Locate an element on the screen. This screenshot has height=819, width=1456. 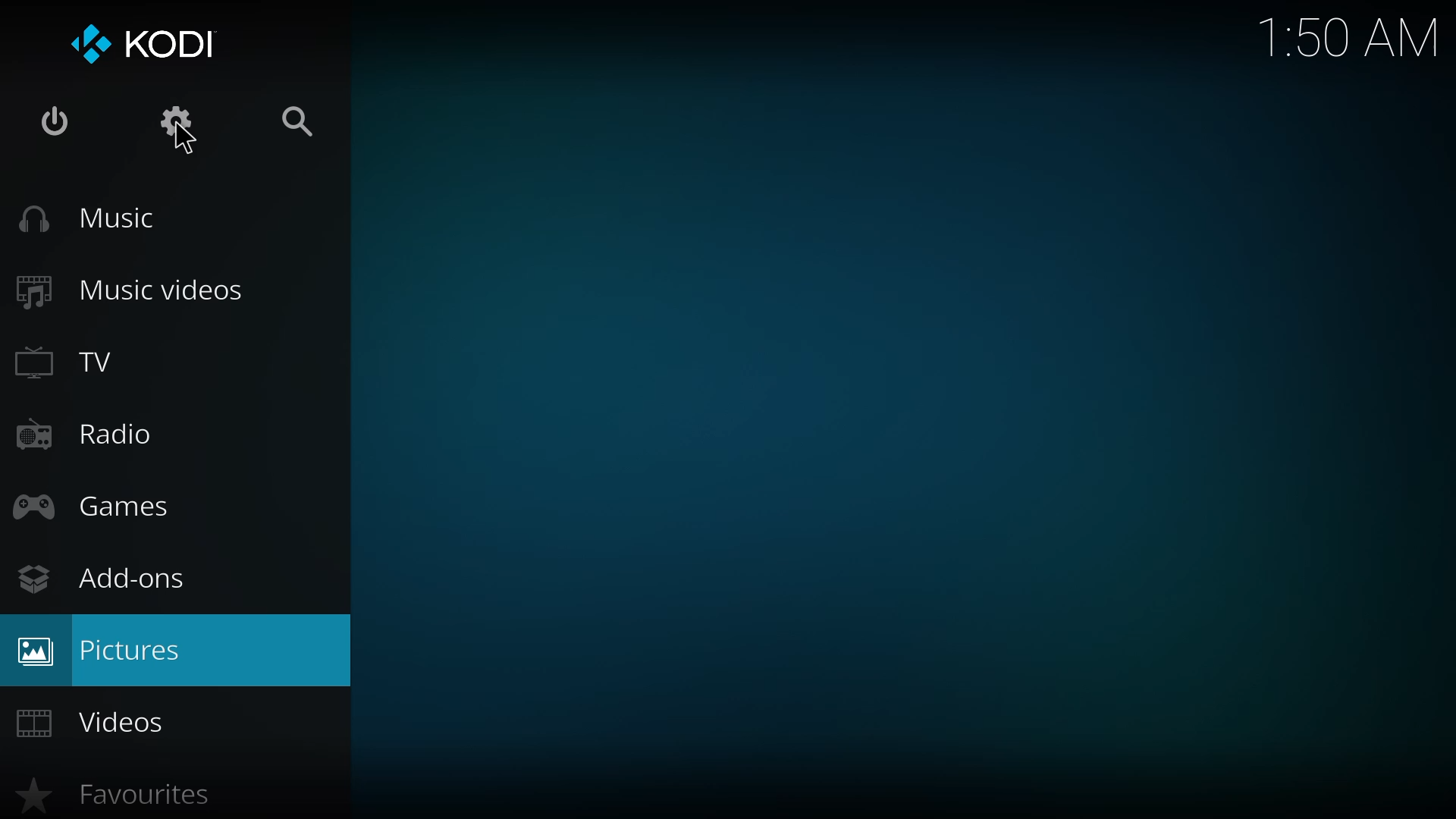
add-ons is located at coordinates (103, 579).